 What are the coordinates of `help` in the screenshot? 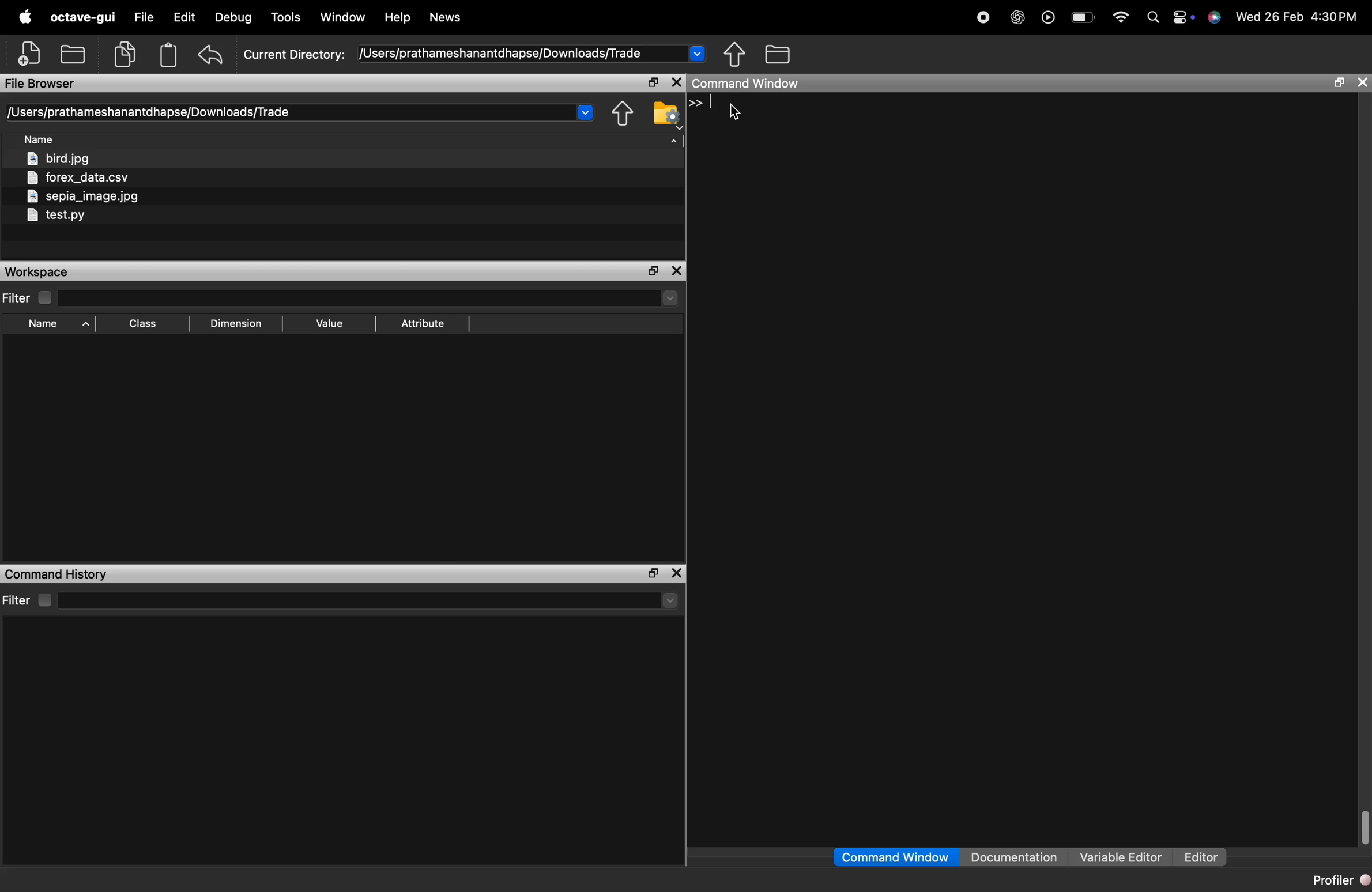 It's located at (399, 18).